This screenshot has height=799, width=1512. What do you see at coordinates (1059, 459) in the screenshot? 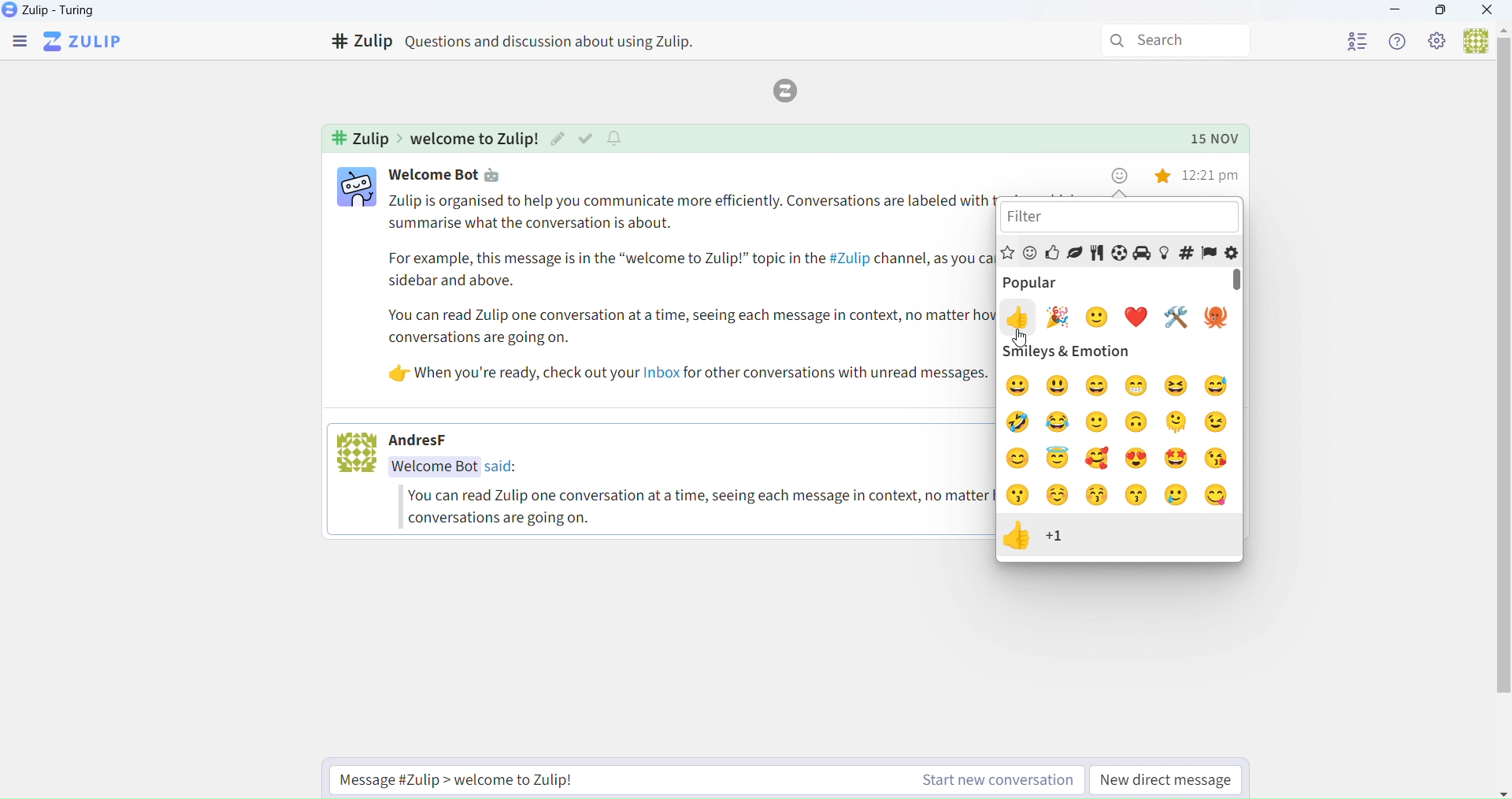
I see `angel smile` at bounding box center [1059, 459].